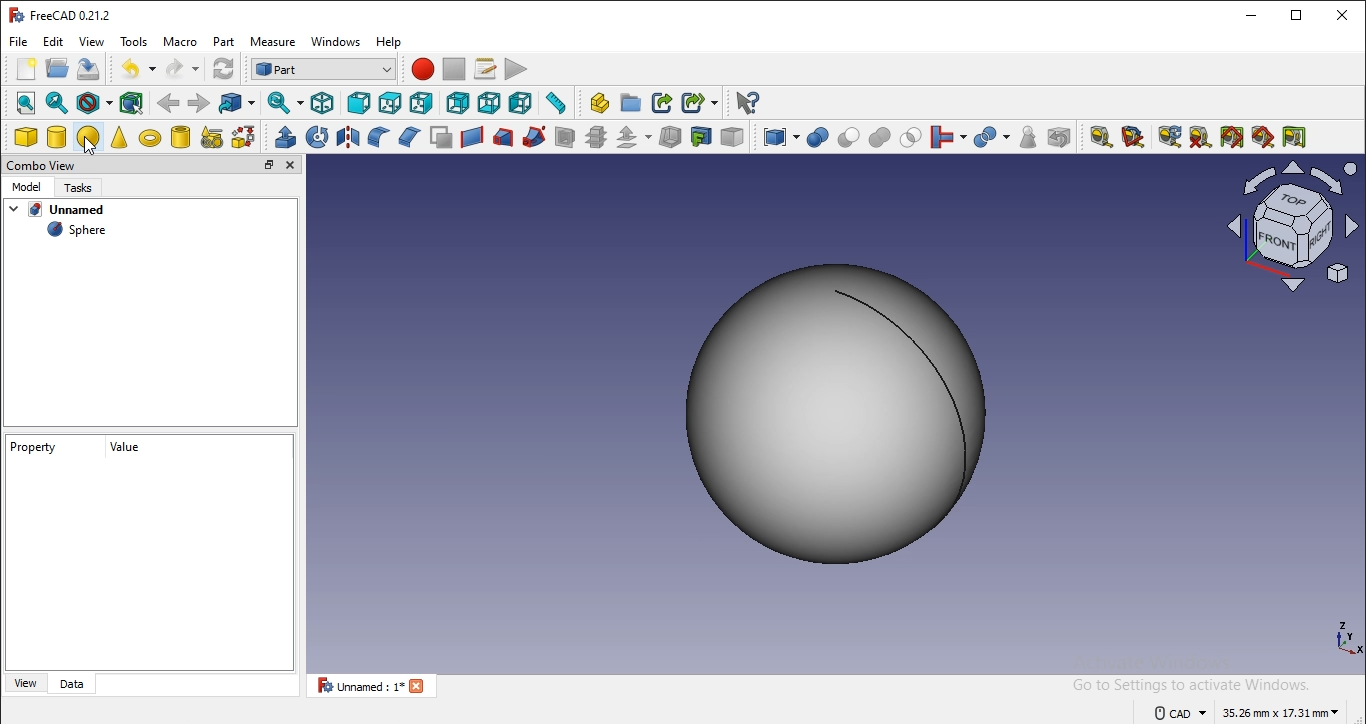 Image resolution: width=1366 pixels, height=724 pixels. Describe the element at coordinates (733, 137) in the screenshot. I see `color per surface` at that location.